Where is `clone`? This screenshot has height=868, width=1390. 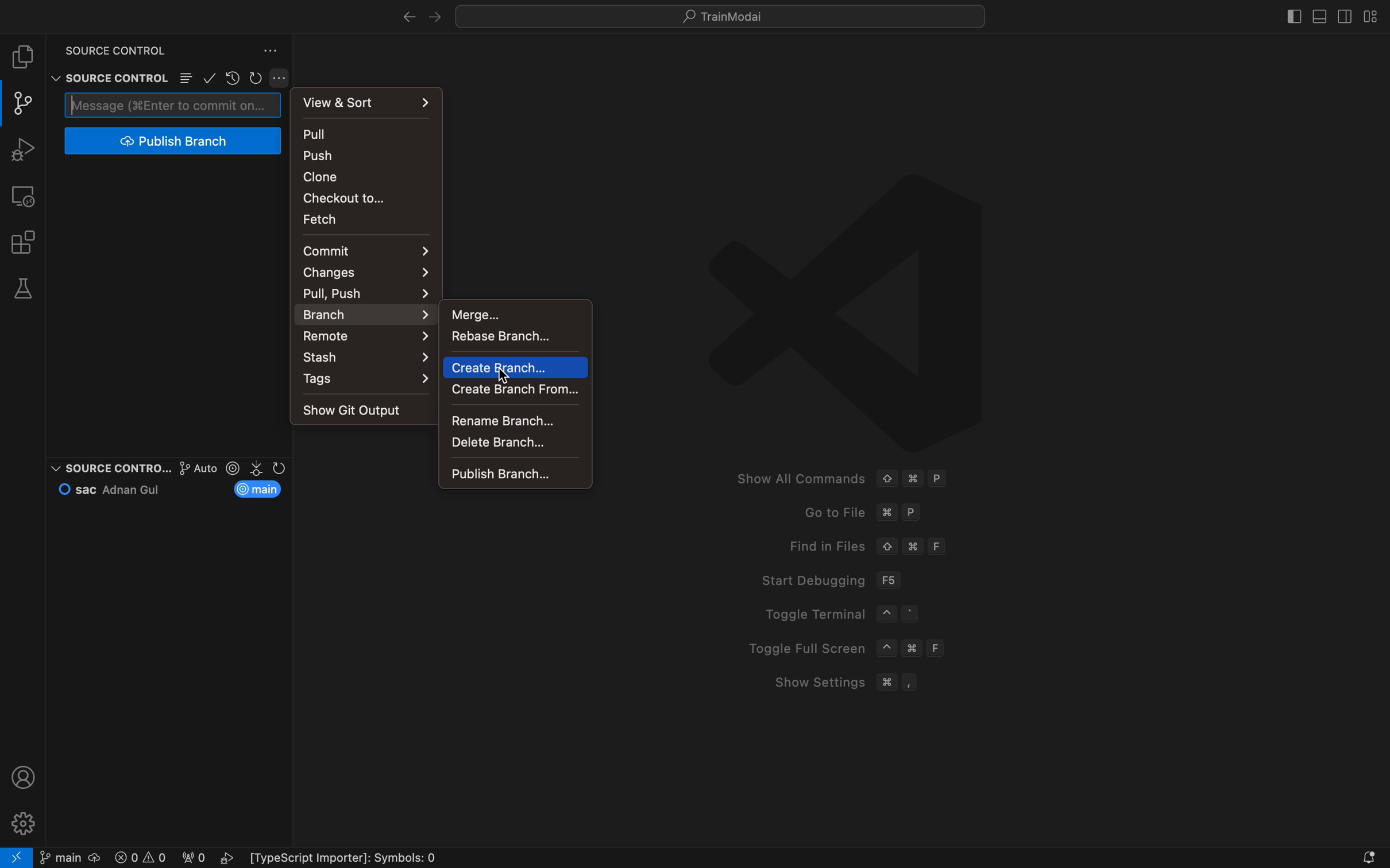
clone is located at coordinates (362, 176).